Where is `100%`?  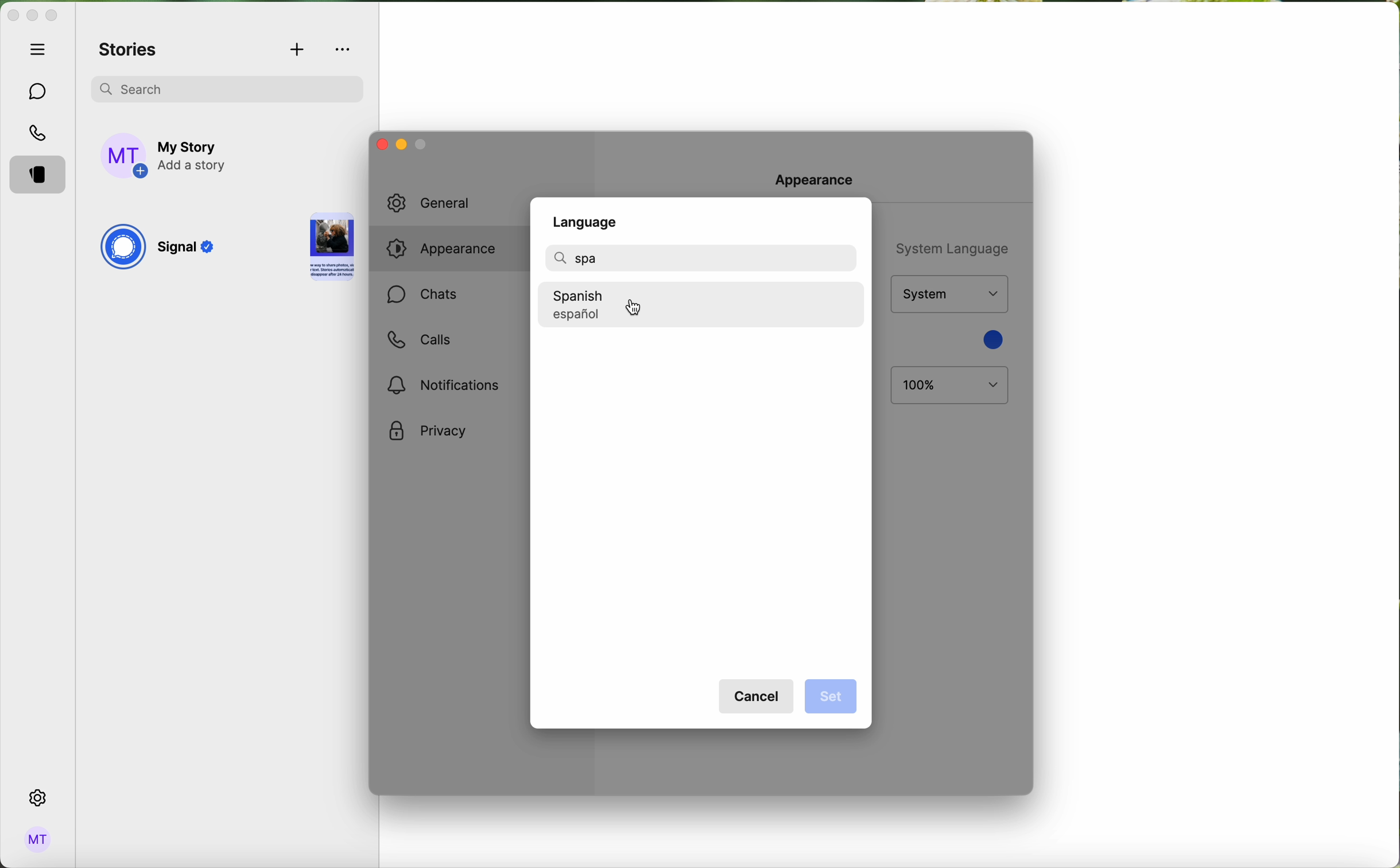 100% is located at coordinates (950, 386).